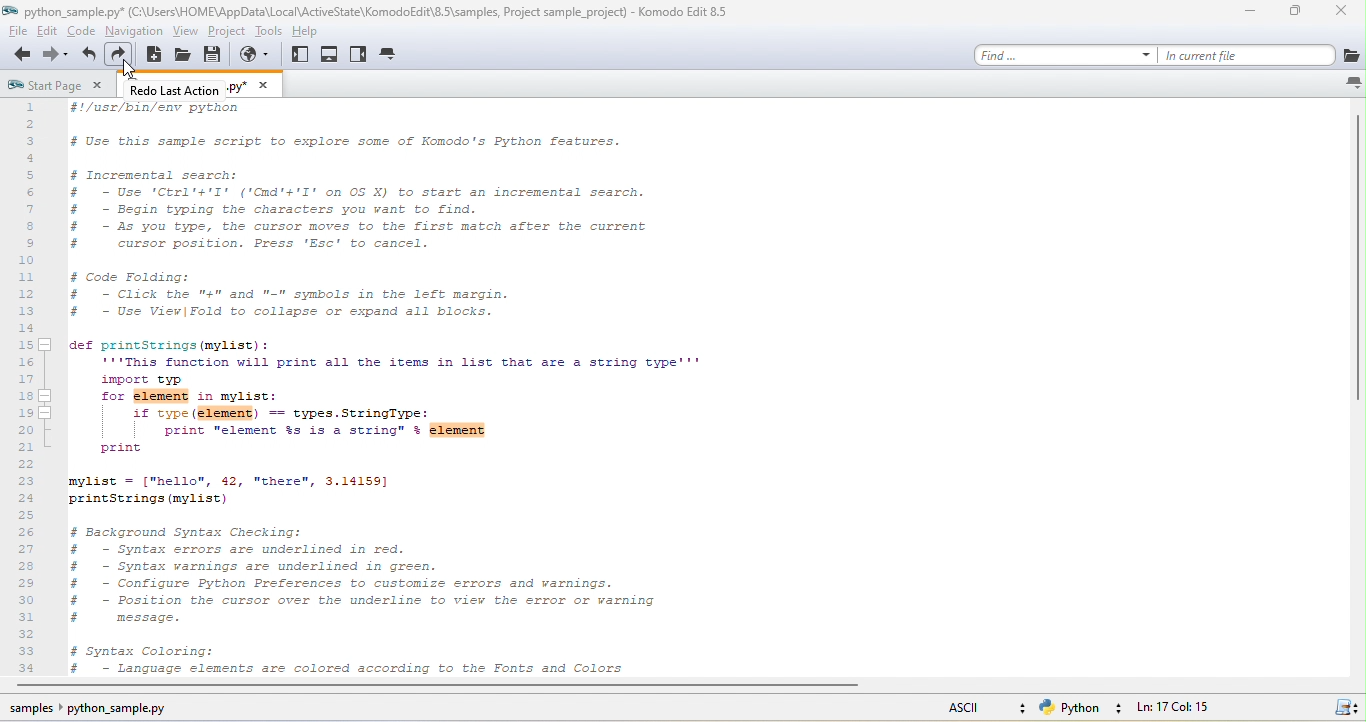 The image size is (1366, 722). What do you see at coordinates (134, 31) in the screenshot?
I see `navigation` at bounding box center [134, 31].